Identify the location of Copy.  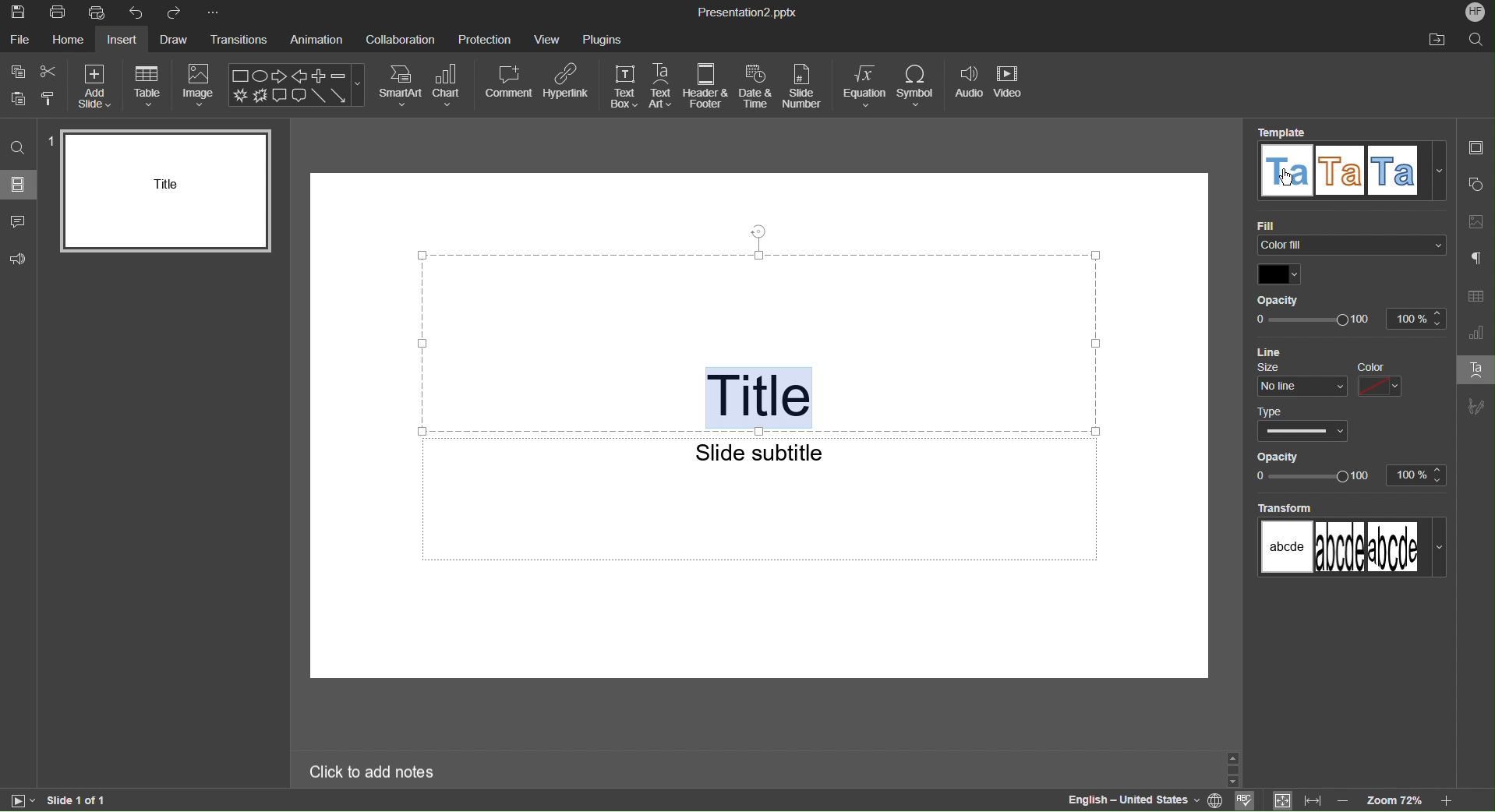
(16, 71).